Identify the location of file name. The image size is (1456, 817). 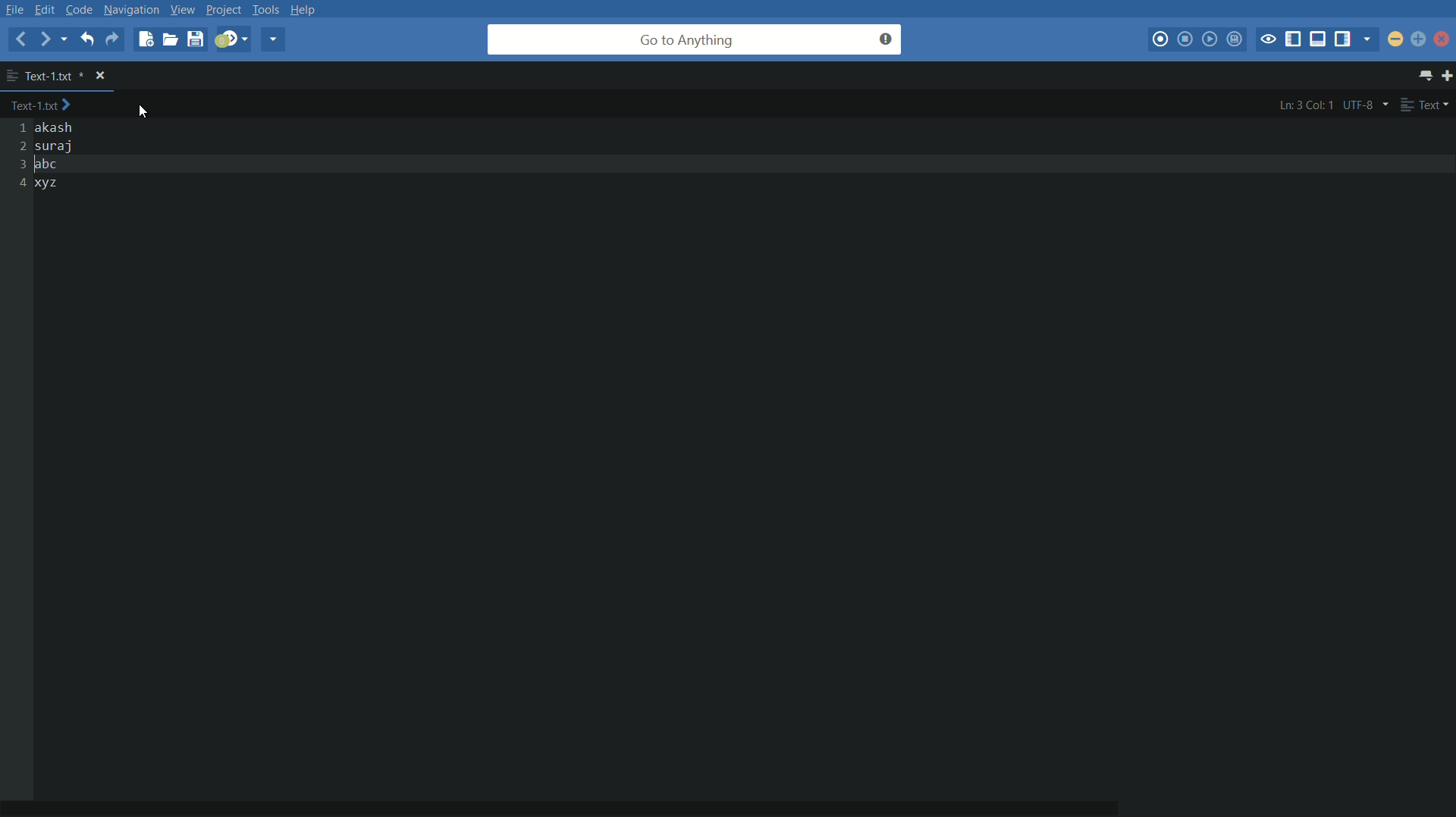
(45, 75).